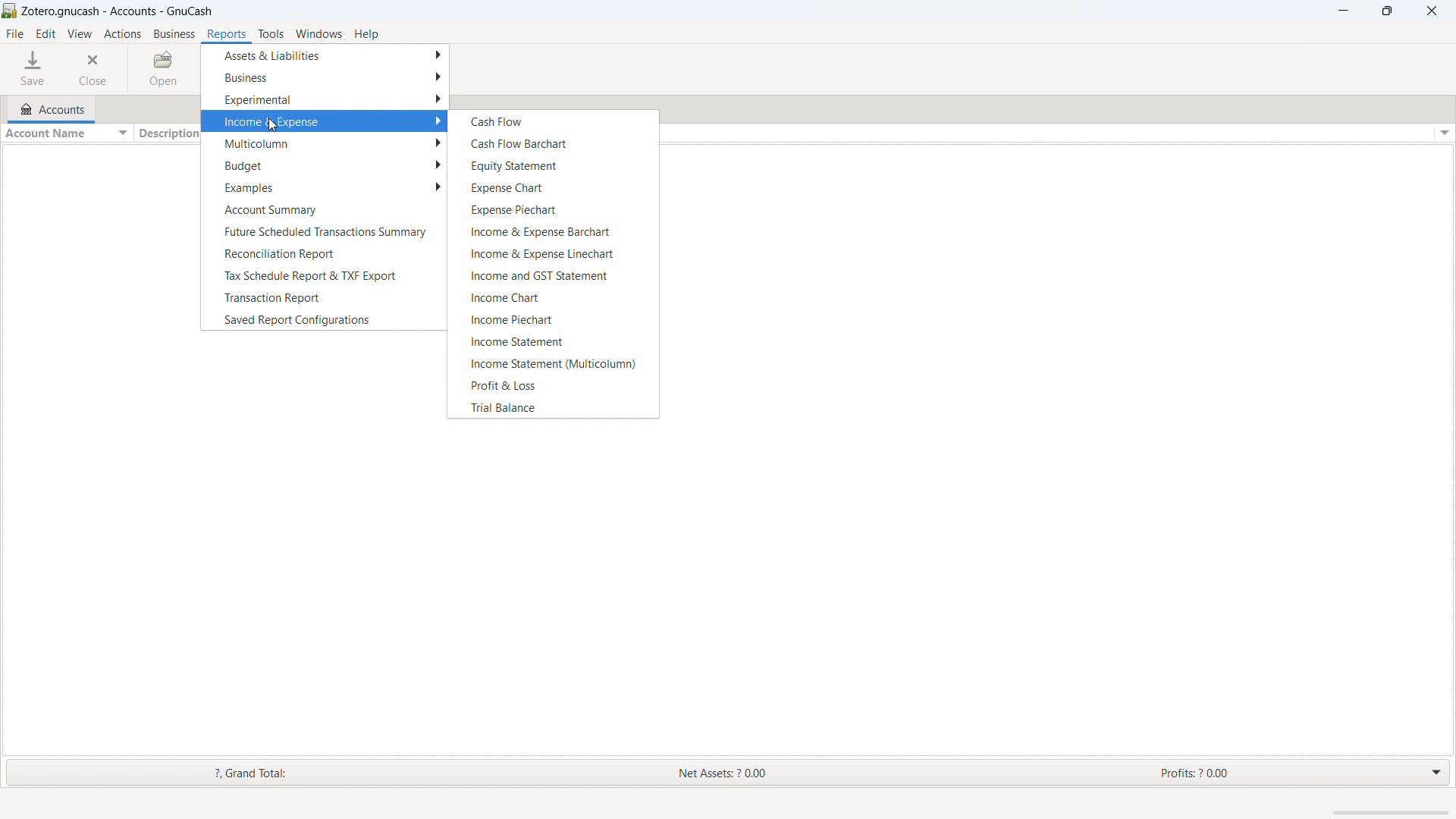 Image resolution: width=1456 pixels, height=819 pixels. I want to click on future scheduled transactions summary, so click(324, 231).